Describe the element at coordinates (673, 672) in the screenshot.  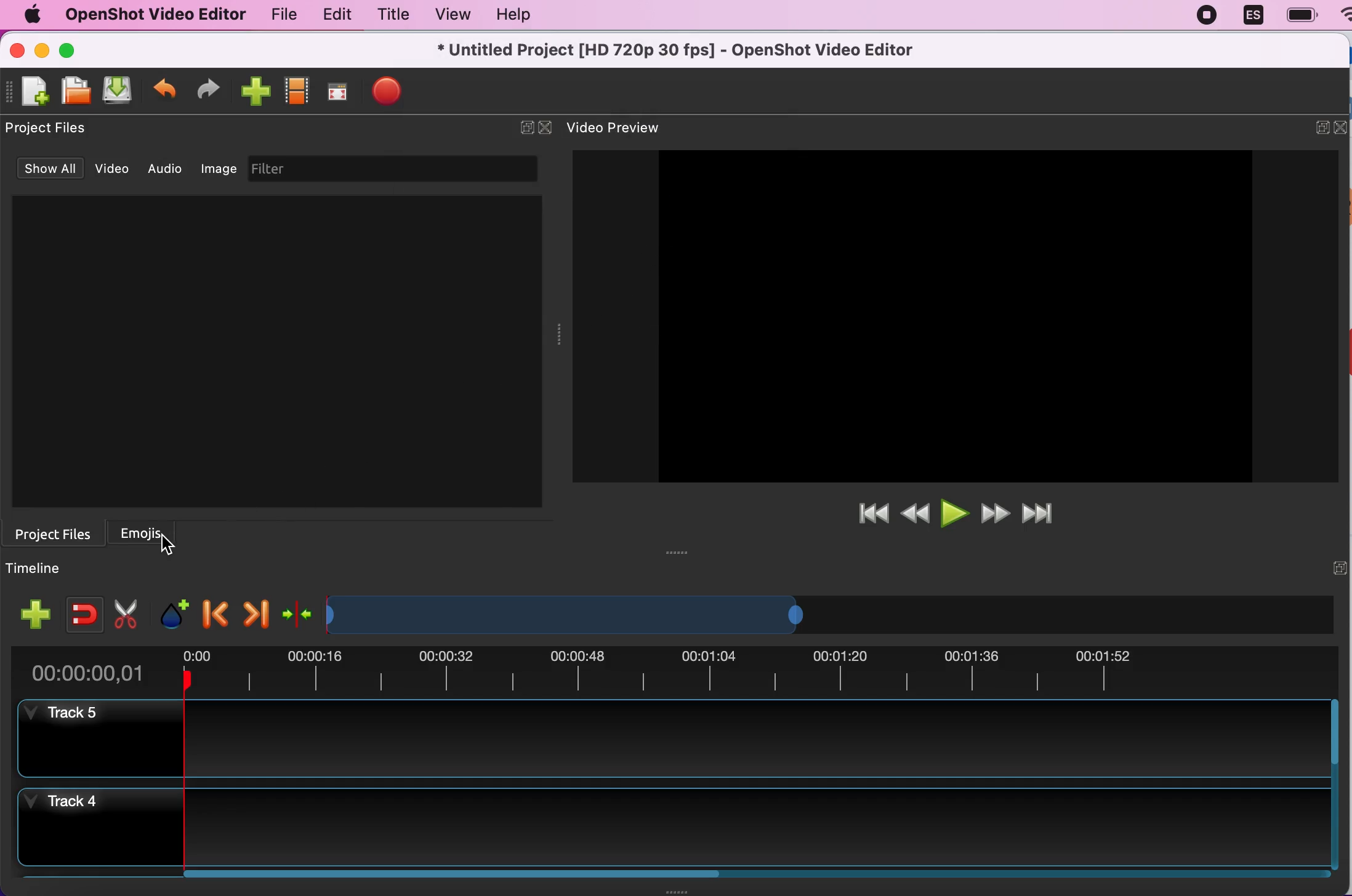
I see `time duration` at that location.